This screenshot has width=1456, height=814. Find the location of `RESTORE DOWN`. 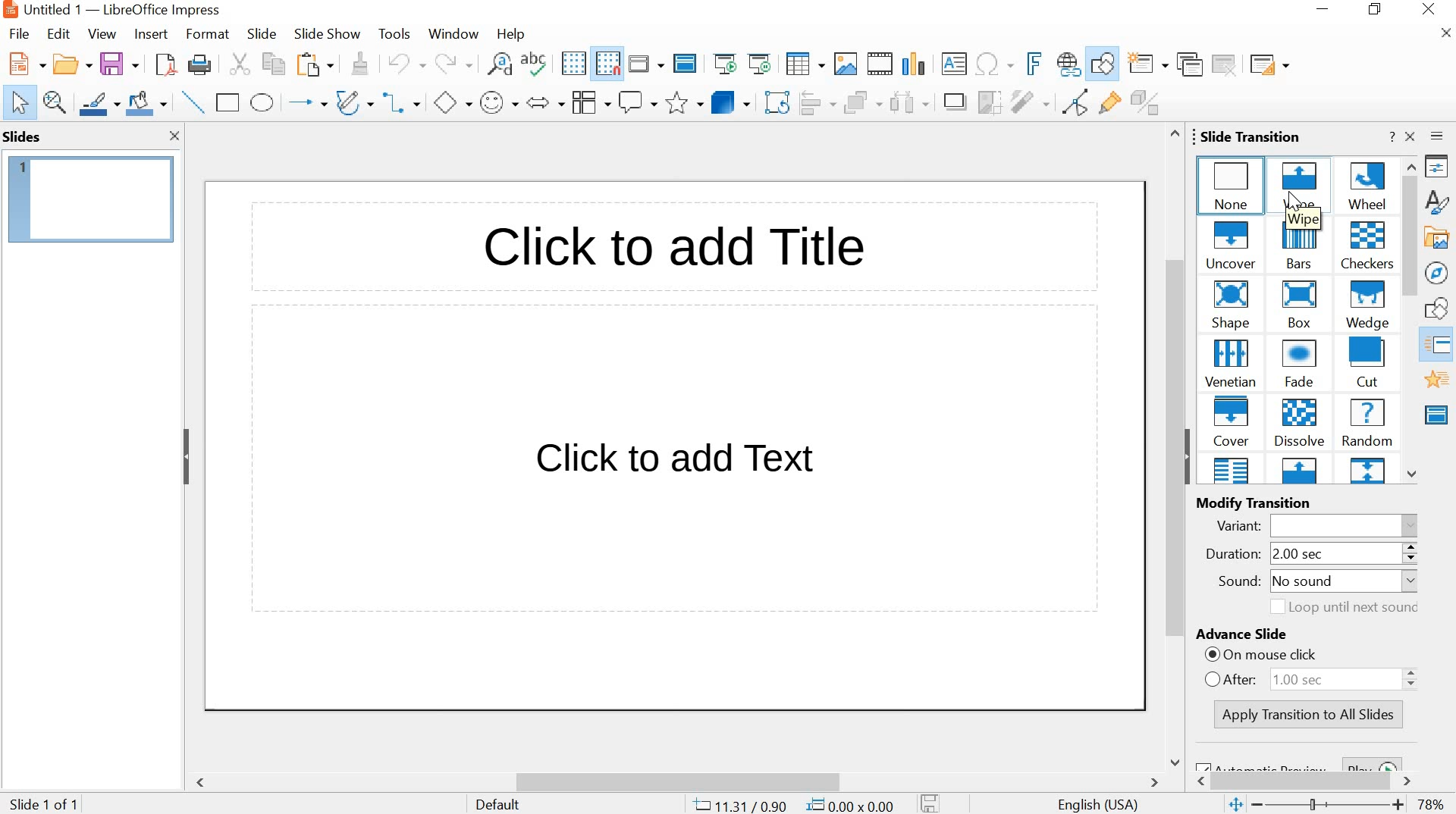

RESTORE DOWN is located at coordinates (1376, 9).